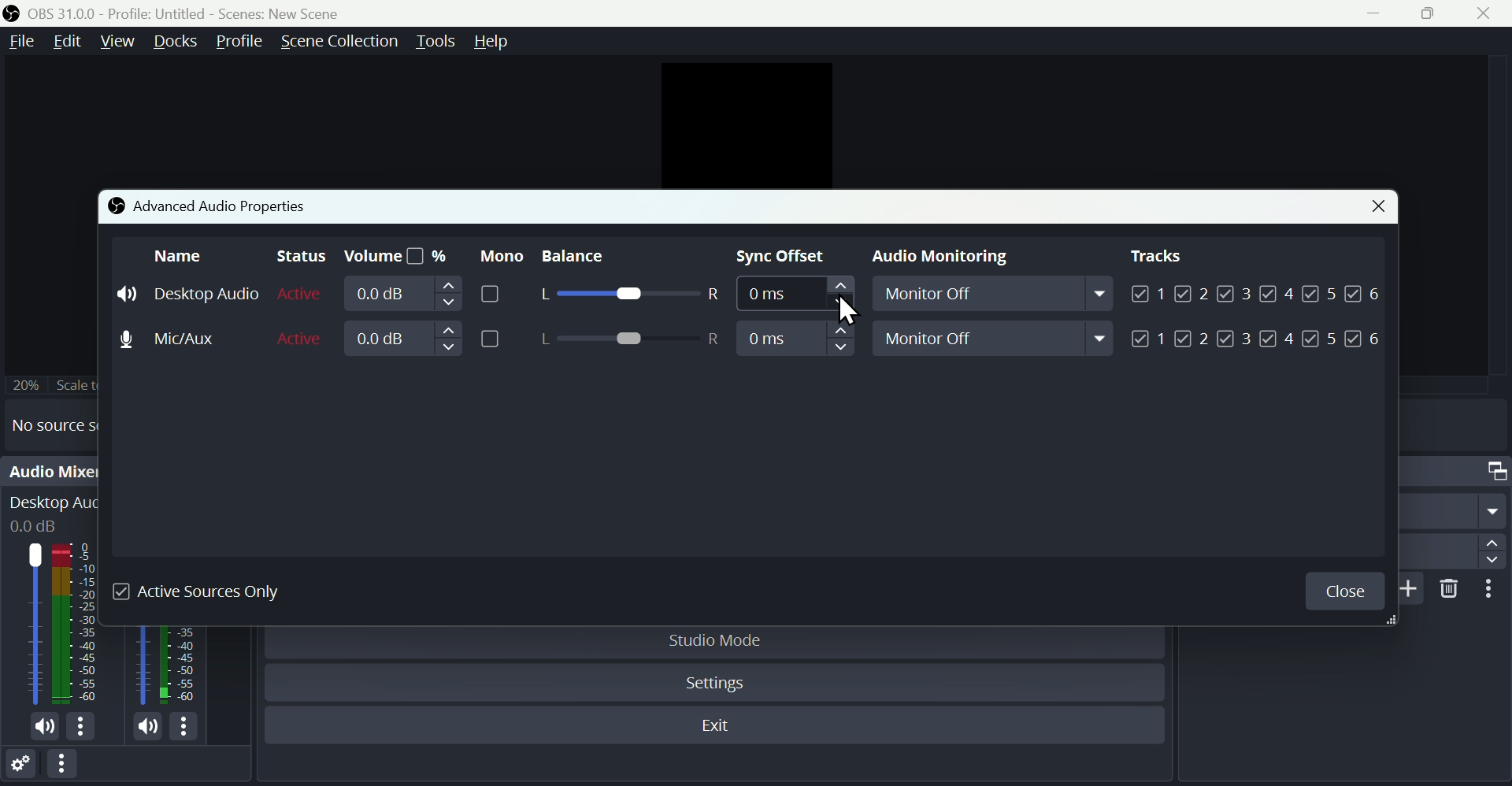 This screenshot has width=1512, height=786. Describe the element at coordinates (934, 258) in the screenshot. I see `Audio monitoring` at that location.